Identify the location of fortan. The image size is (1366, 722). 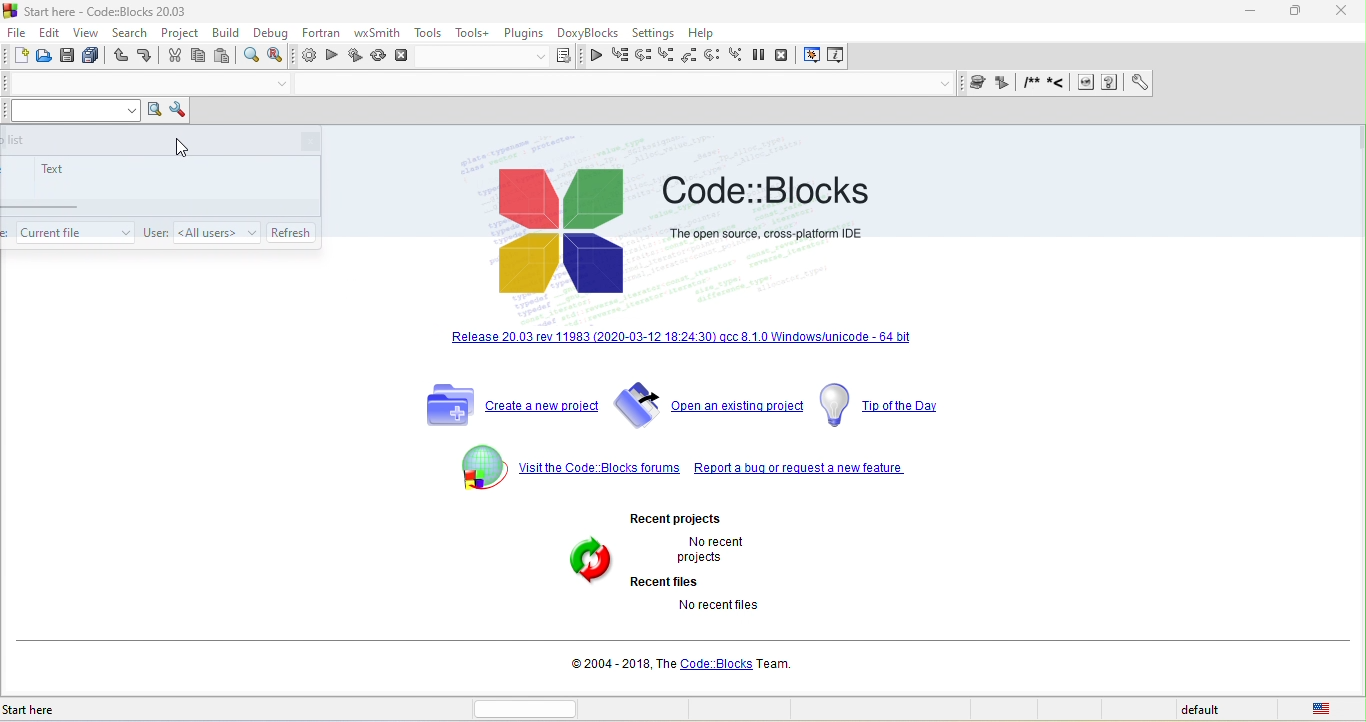
(318, 35).